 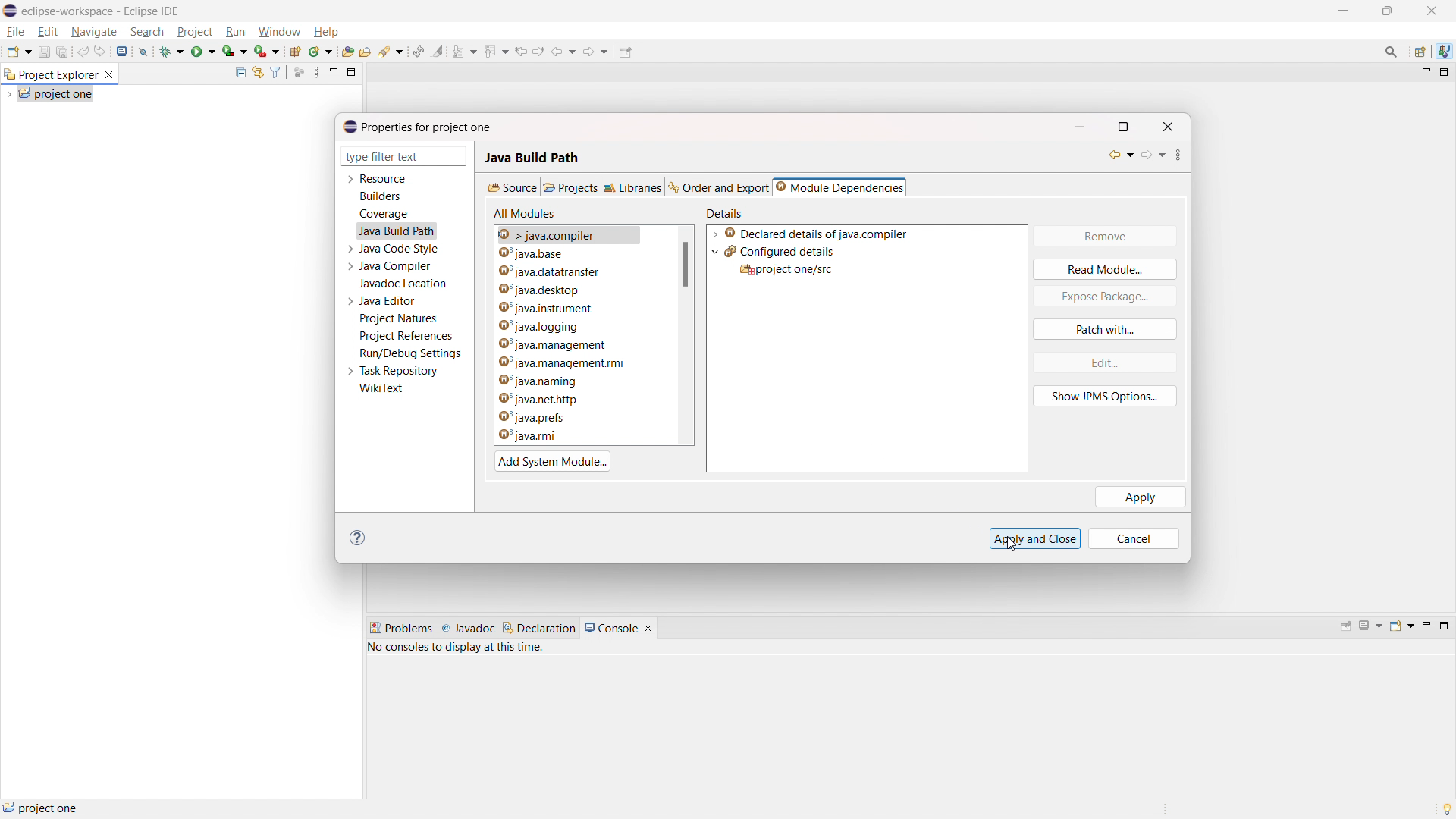 What do you see at coordinates (384, 178) in the screenshot?
I see `resource` at bounding box center [384, 178].